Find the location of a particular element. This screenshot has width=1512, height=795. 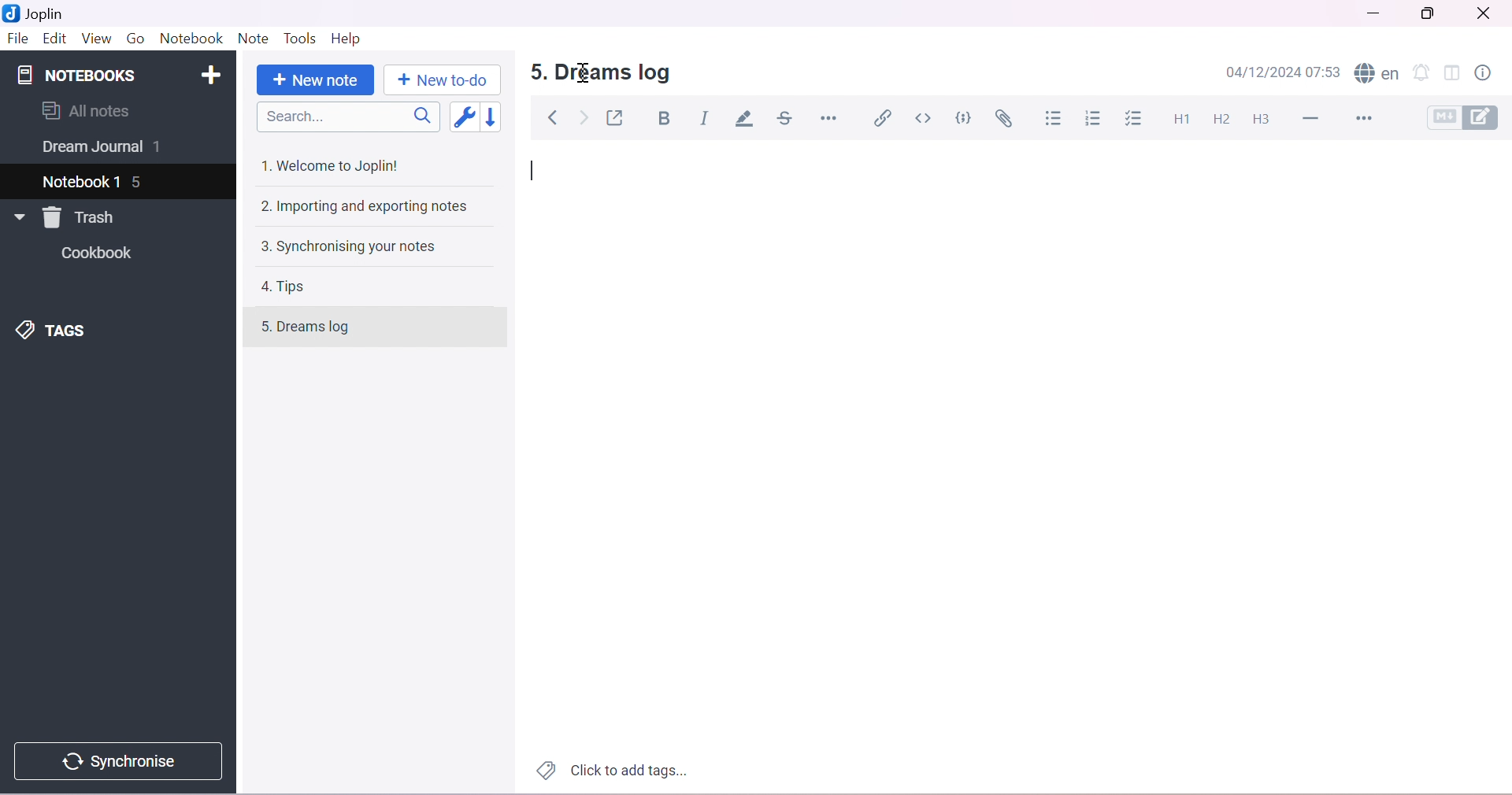

Notebook is located at coordinates (193, 39).